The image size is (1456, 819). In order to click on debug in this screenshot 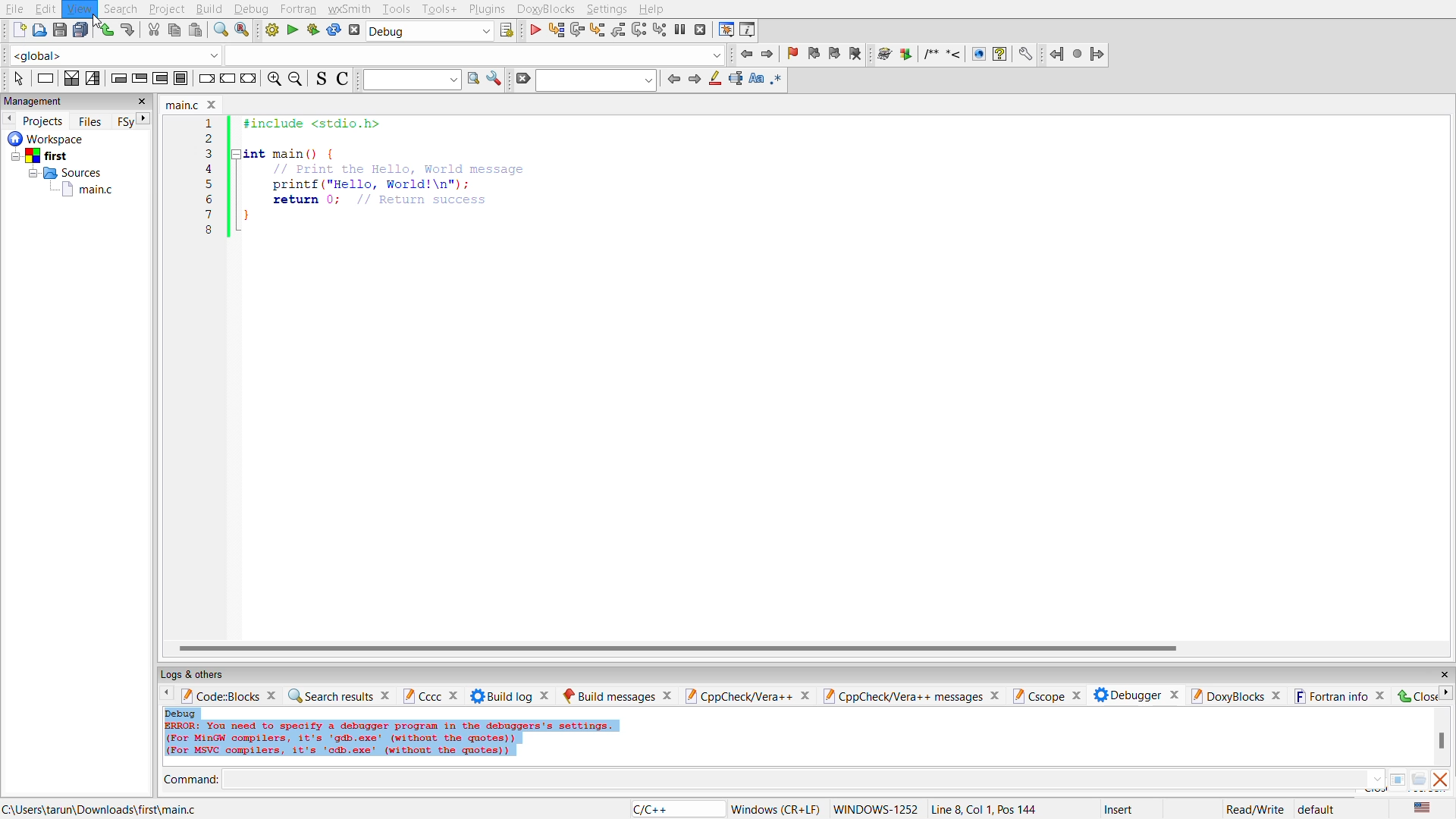, I will do `click(251, 10)`.